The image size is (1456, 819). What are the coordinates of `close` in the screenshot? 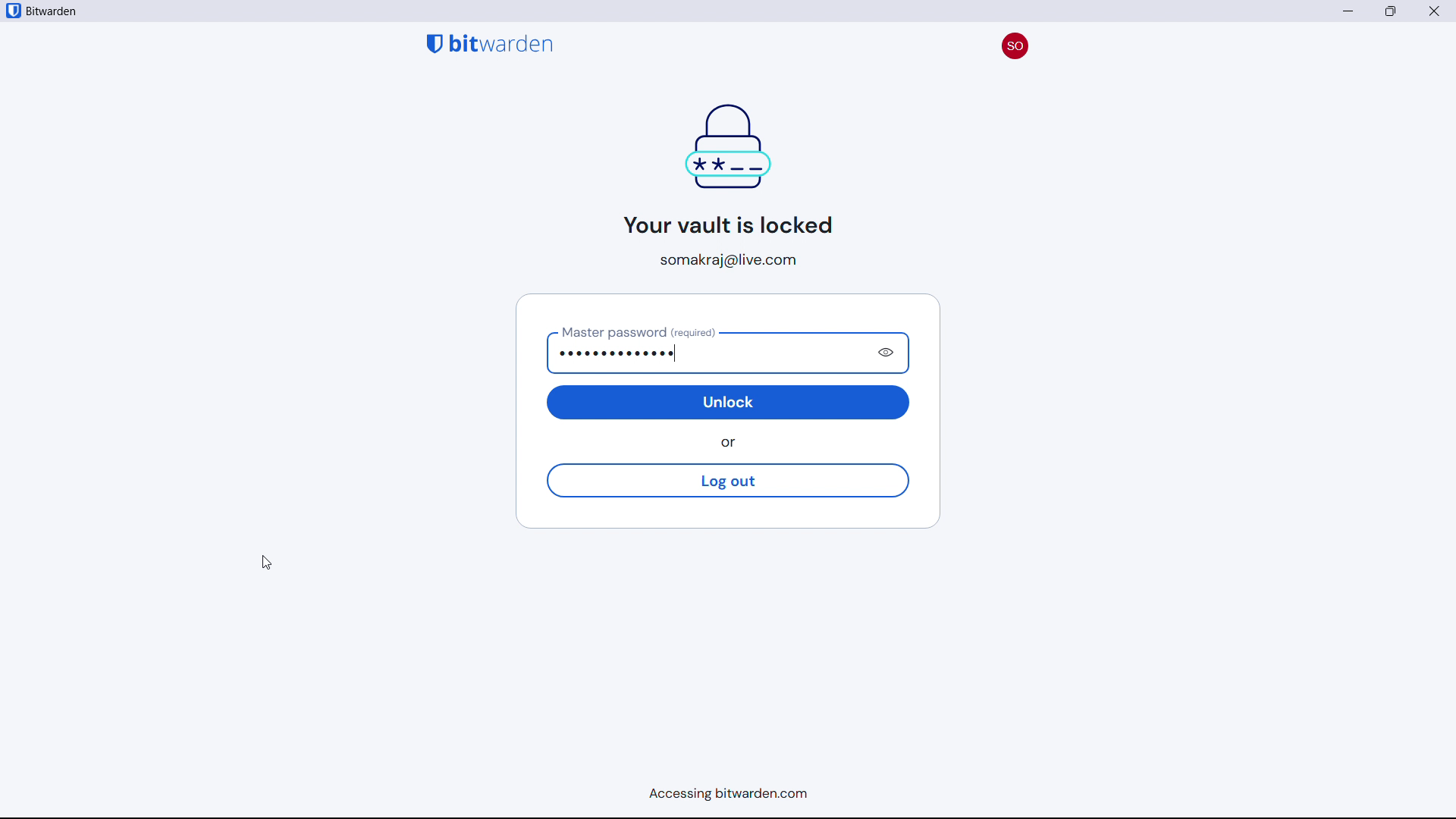 It's located at (1391, 11).